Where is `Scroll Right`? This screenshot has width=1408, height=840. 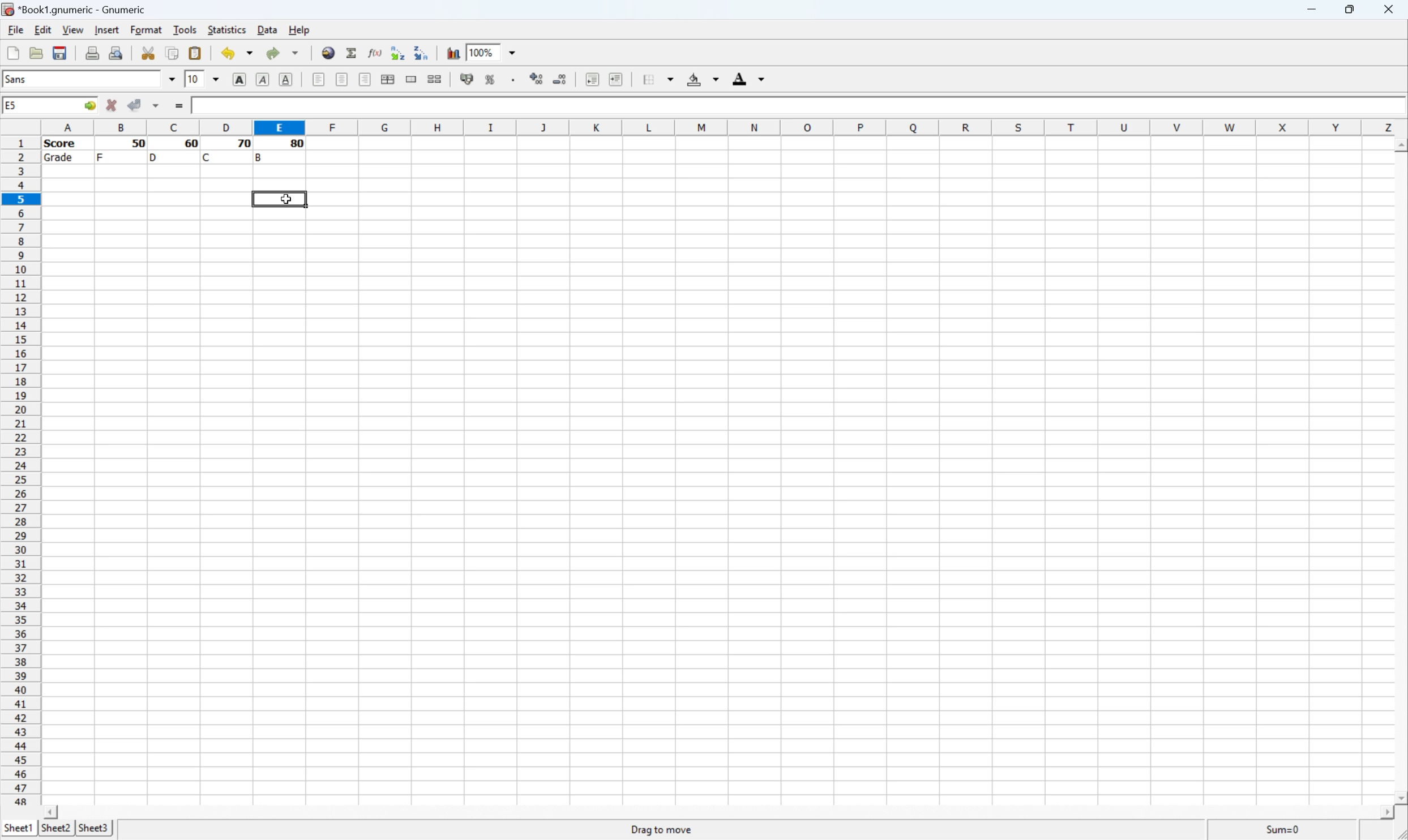
Scroll Right is located at coordinates (1382, 812).